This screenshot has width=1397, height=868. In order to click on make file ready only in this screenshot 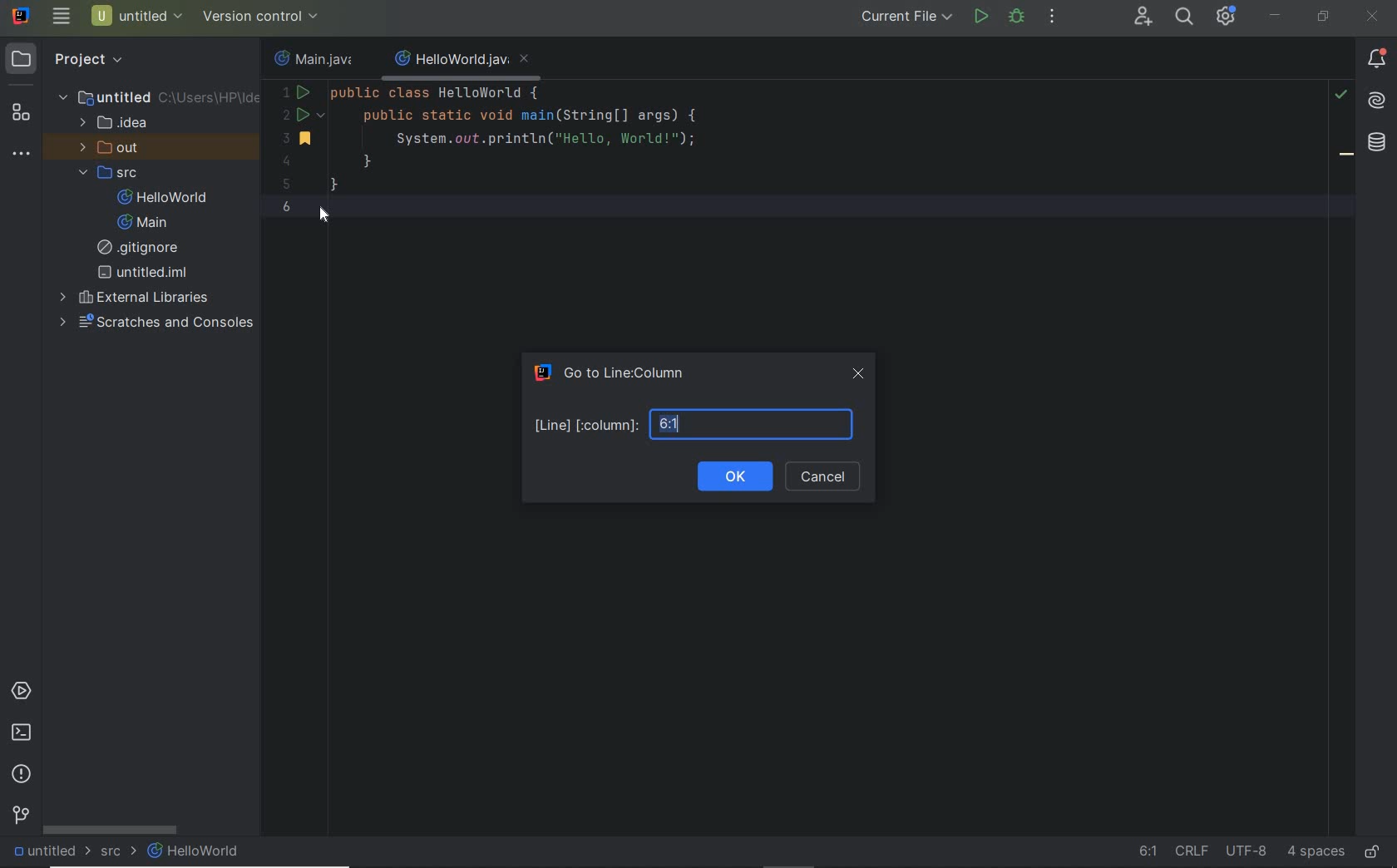, I will do `click(1375, 853)`.